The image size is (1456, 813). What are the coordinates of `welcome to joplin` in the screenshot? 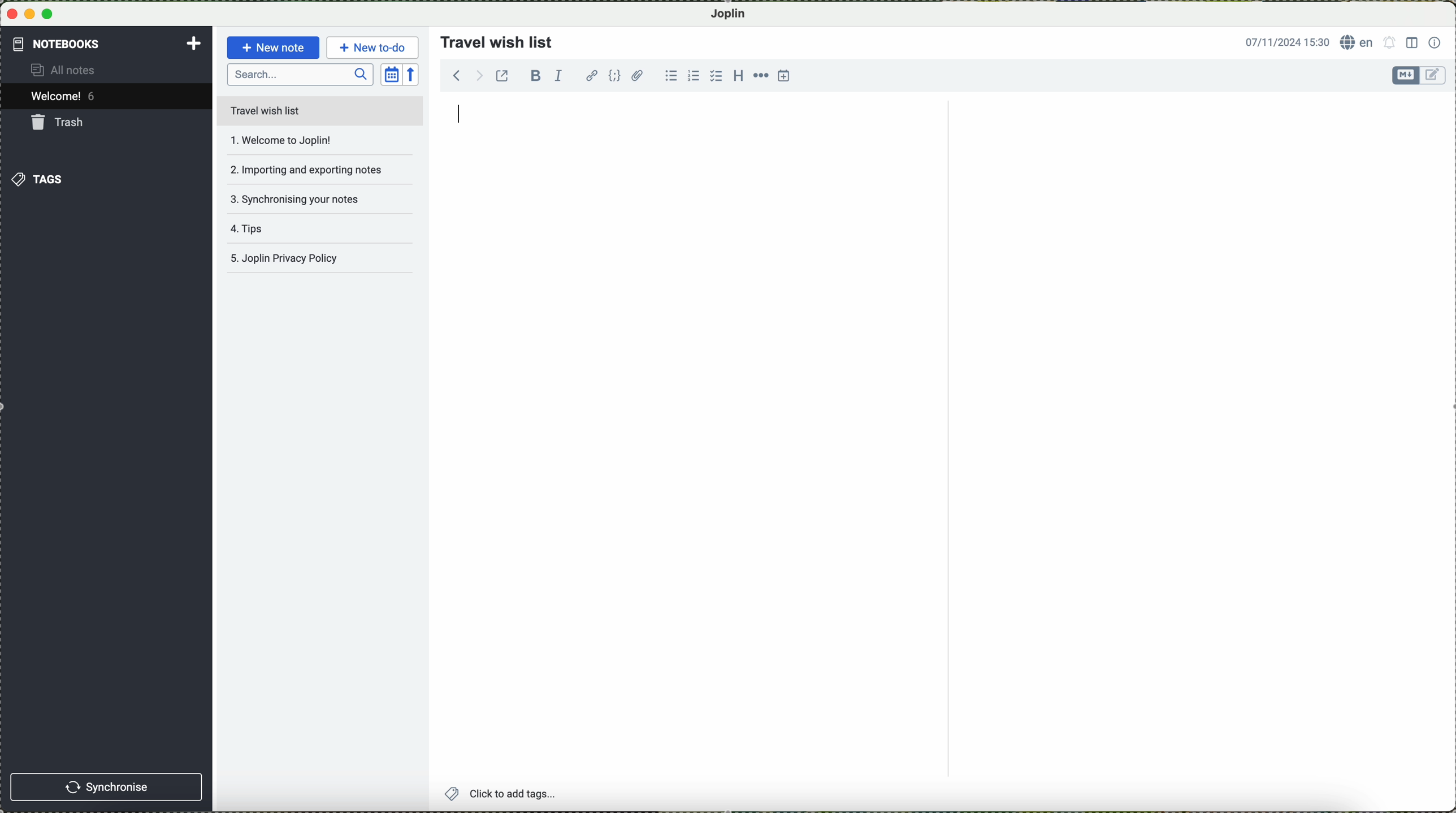 It's located at (302, 141).